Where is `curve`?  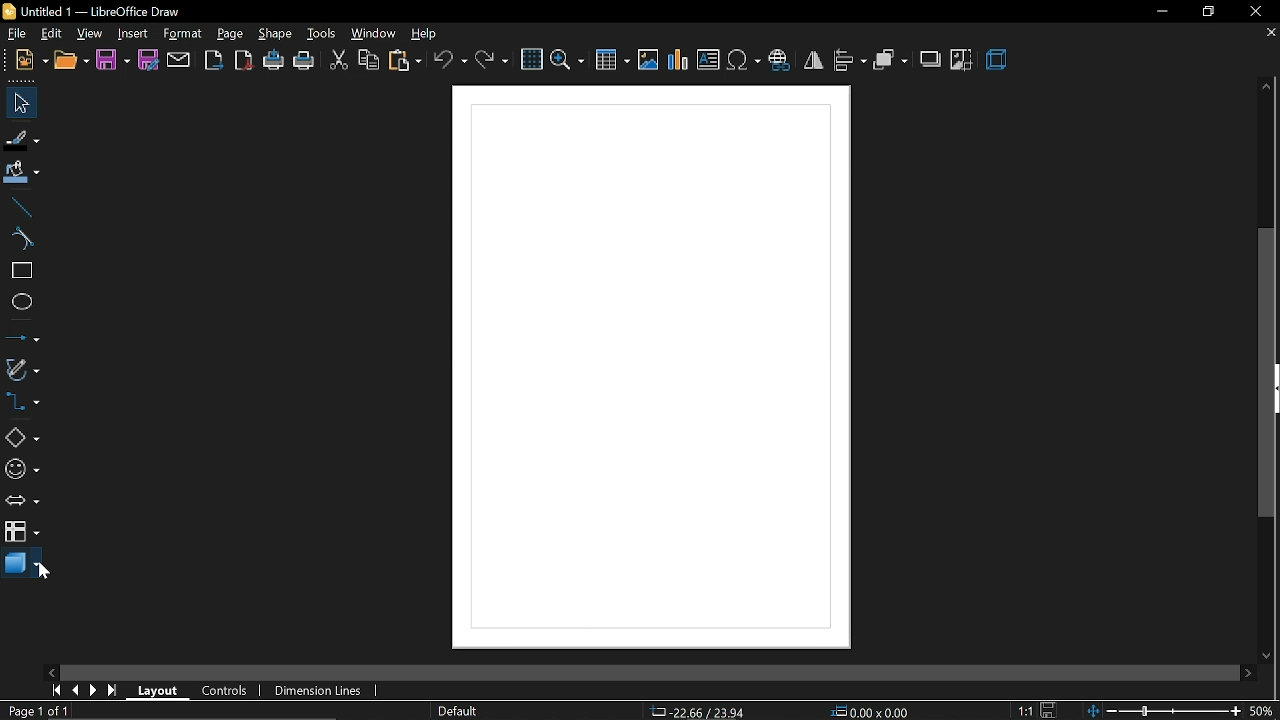 curve is located at coordinates (21, 238).